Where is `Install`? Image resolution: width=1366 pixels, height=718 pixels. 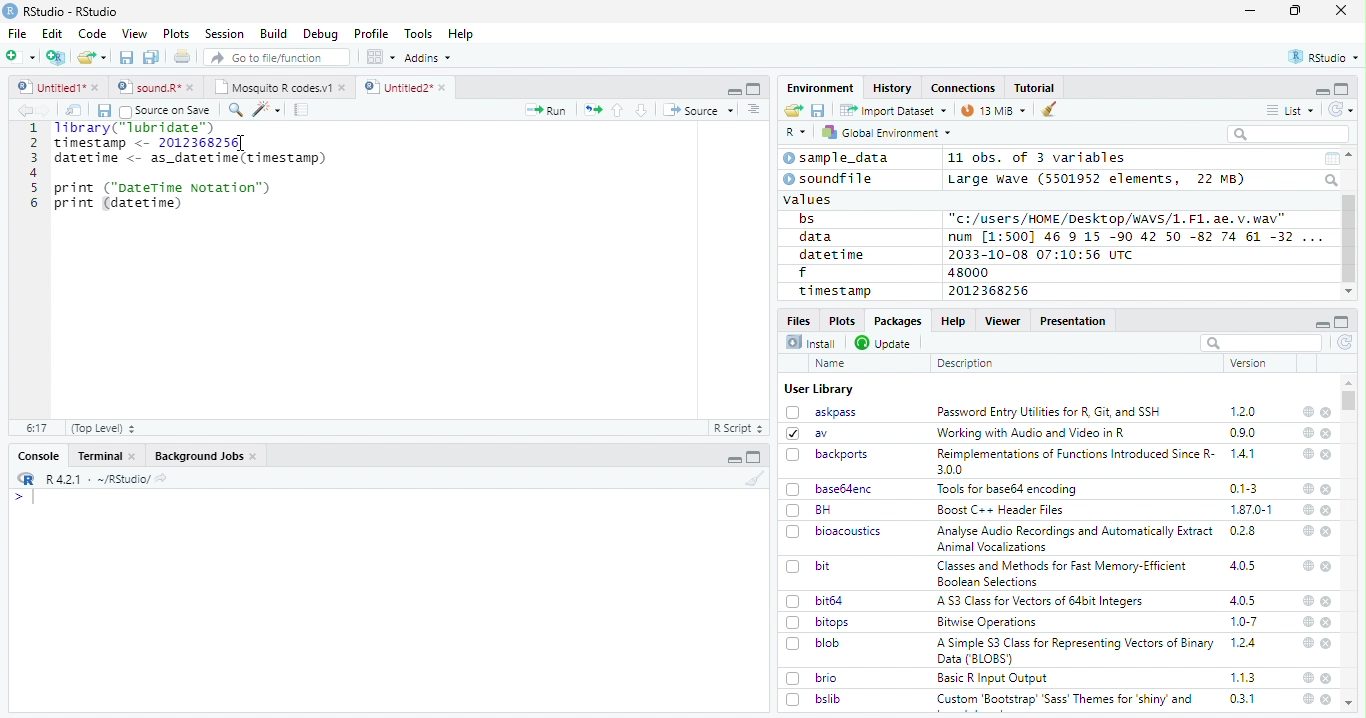 Install is located at coordinates (811, 342).